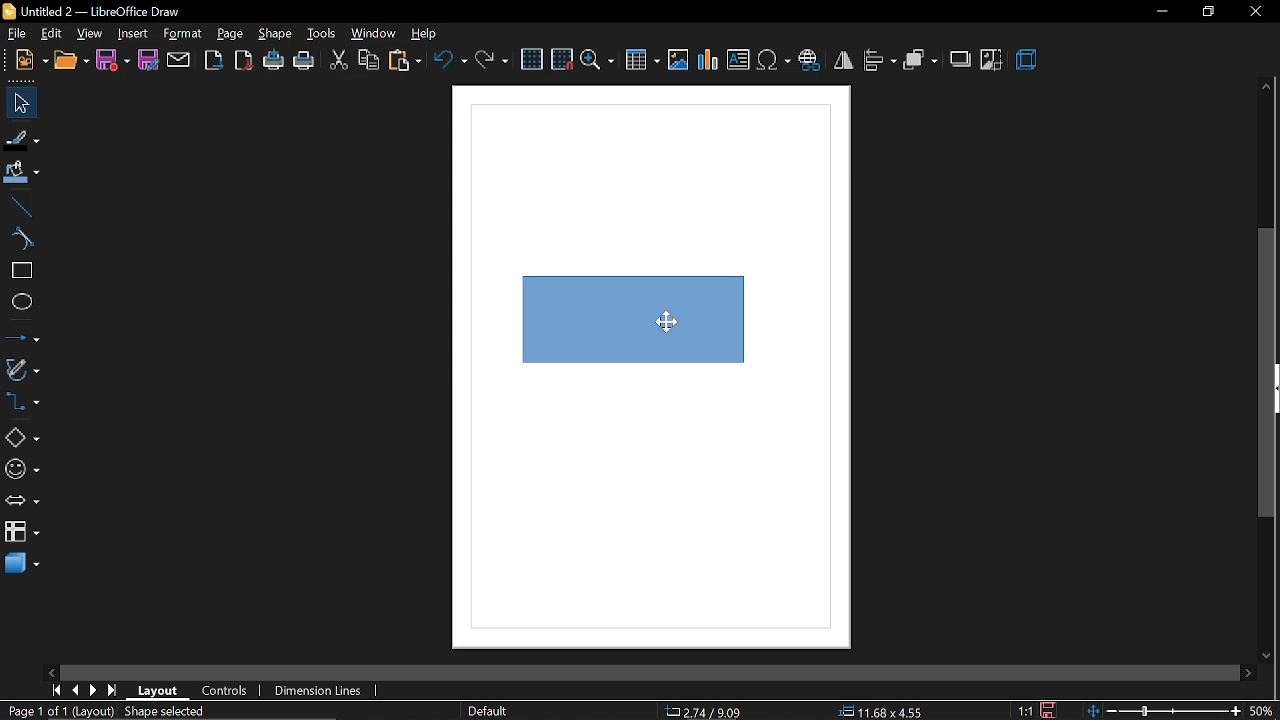 Image resolution: width=1280 pixels, height=720 pixels. Describe the element at coordinates (55, 691) in the screenshot. I see `go to first page` at that location.